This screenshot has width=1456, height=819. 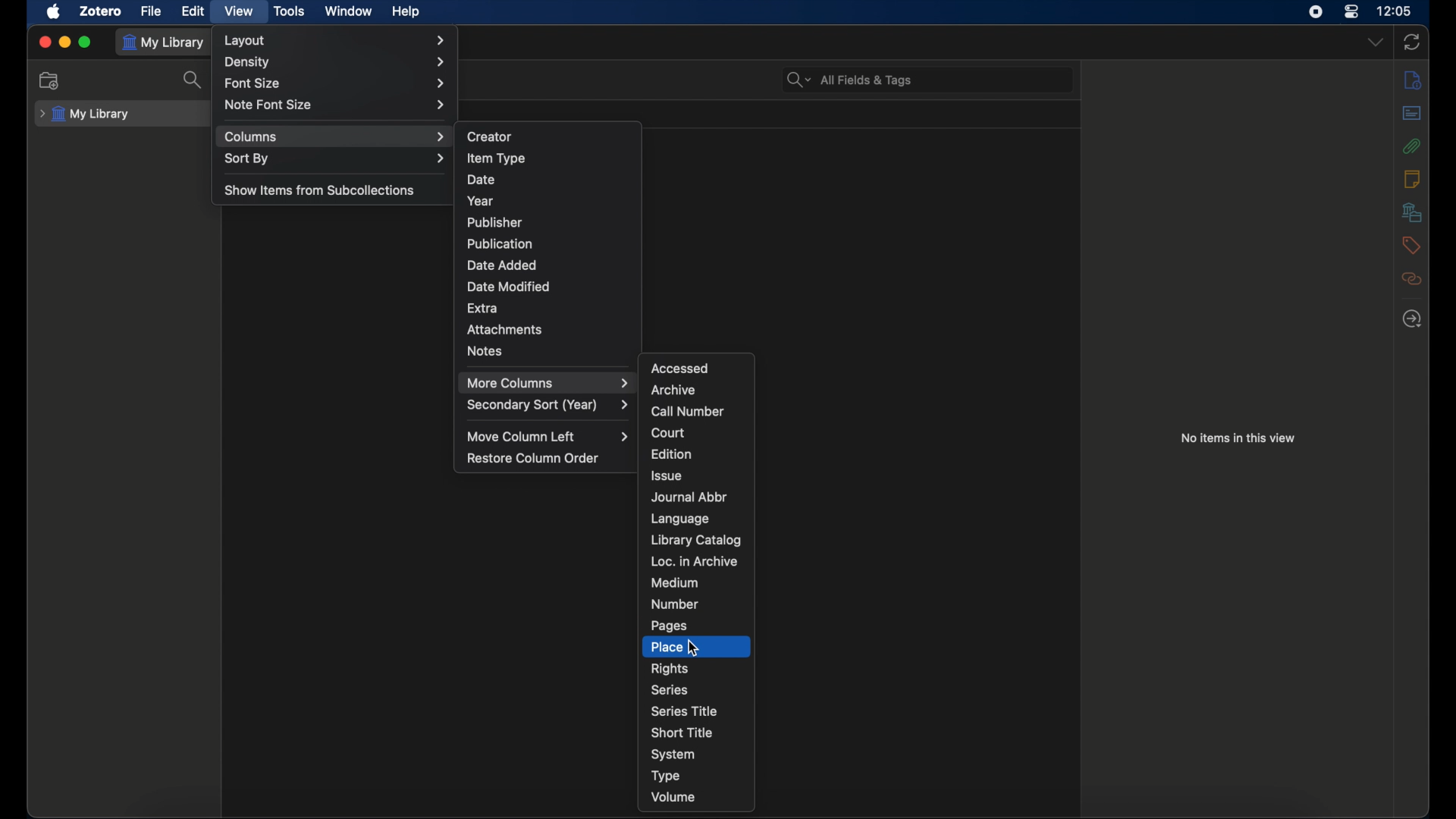 I want to click on notes, so click(x=1412, y=177).